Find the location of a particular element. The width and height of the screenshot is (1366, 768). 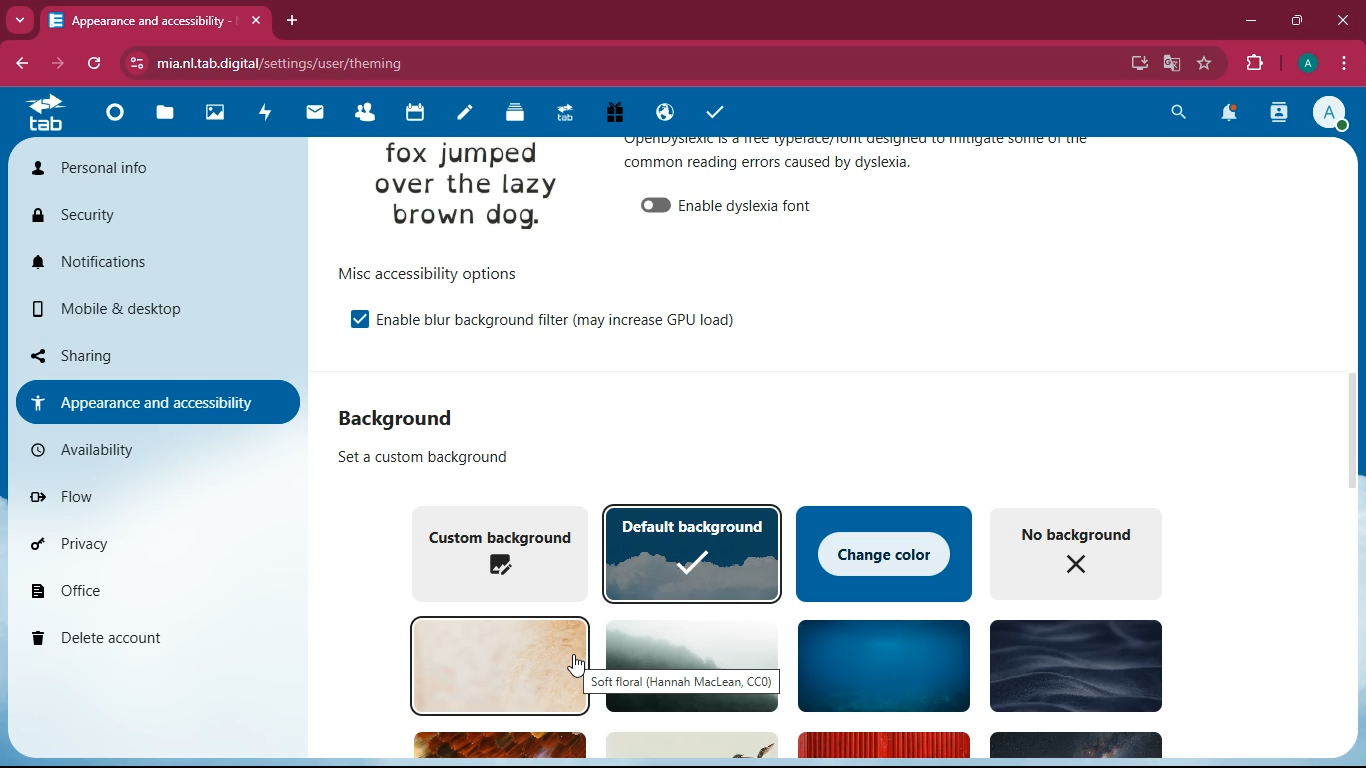

notifications is located at coordinates (1232, 114).